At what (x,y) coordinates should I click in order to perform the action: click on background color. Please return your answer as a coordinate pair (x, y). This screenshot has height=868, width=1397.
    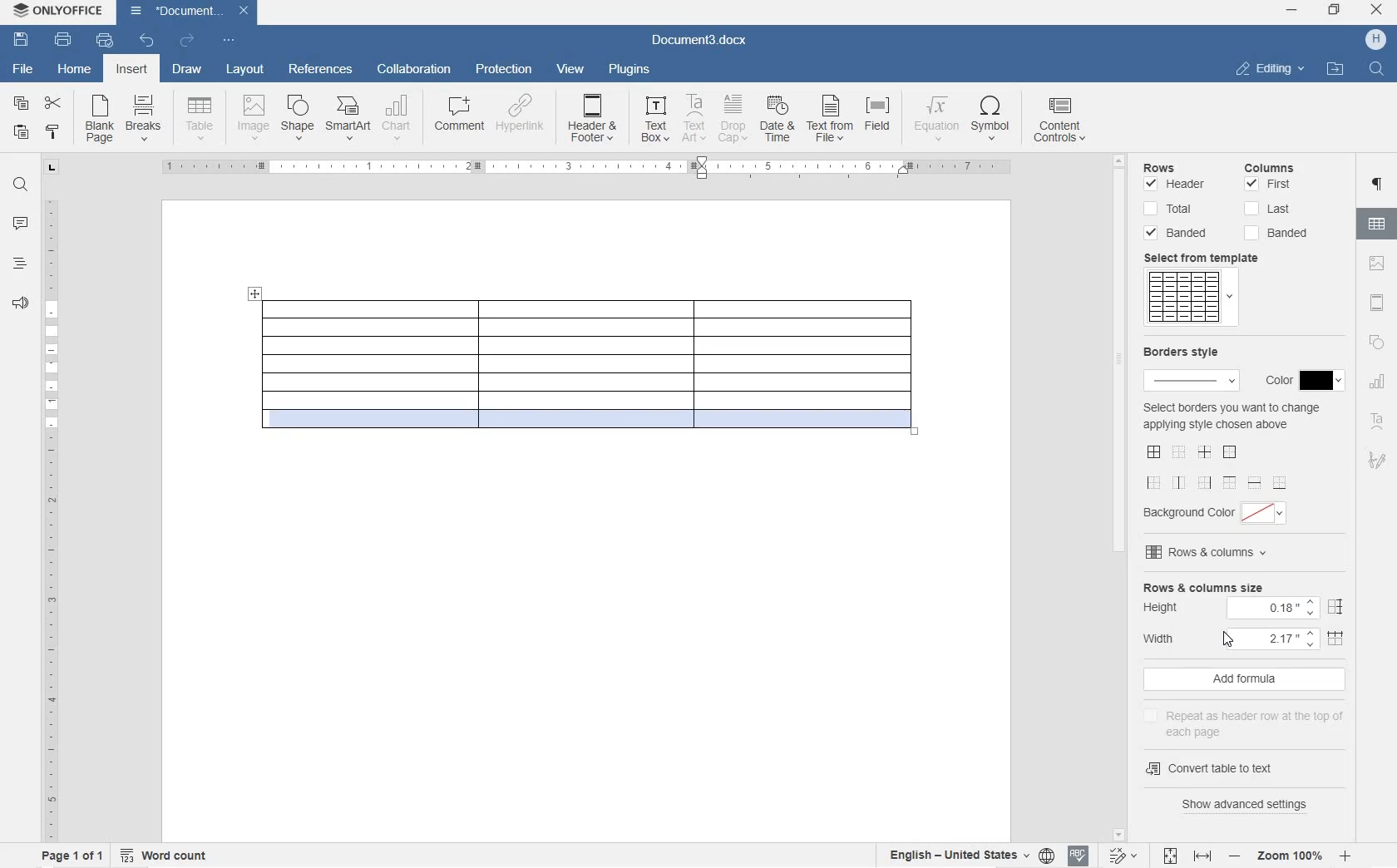
    Looking at the image, I should click on (1218, 513).